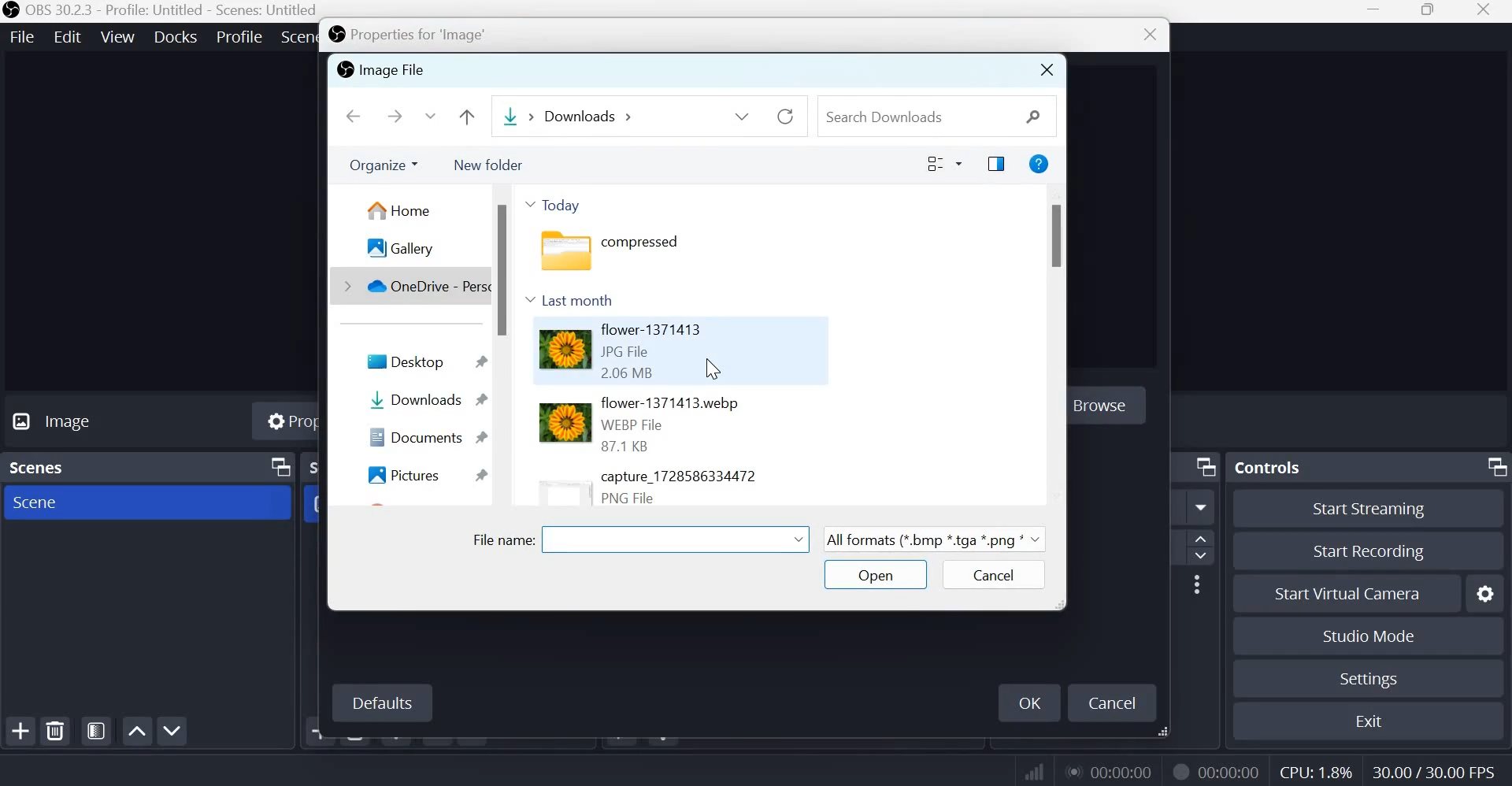  What do you see at coordinates (398, 248) in the screenshot?
I see `gallery` at bounding box center [398, 248].